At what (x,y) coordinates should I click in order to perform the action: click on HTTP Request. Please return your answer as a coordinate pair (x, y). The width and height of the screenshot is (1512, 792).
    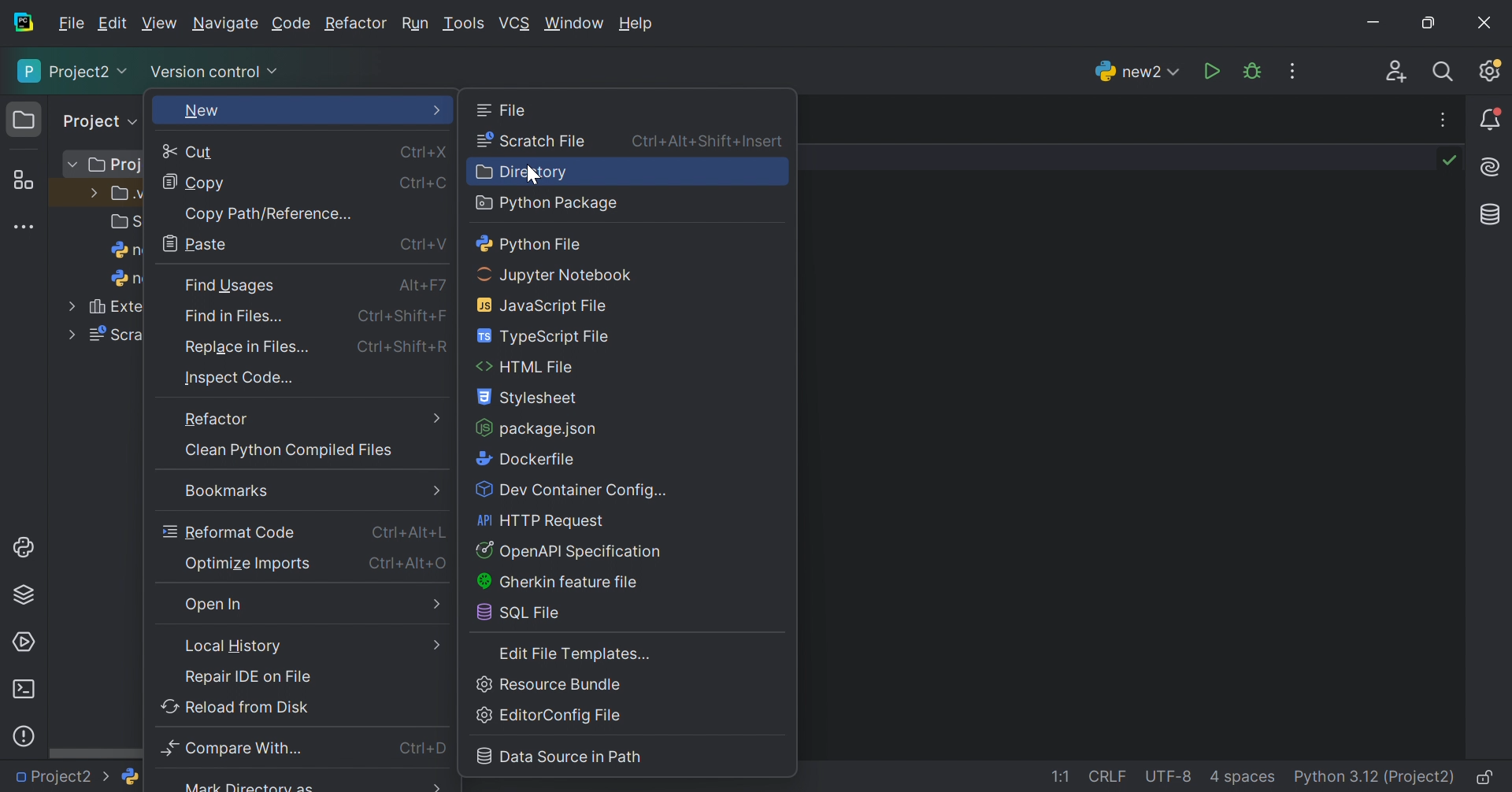
    Looking at the image, I should click on (538, 520).